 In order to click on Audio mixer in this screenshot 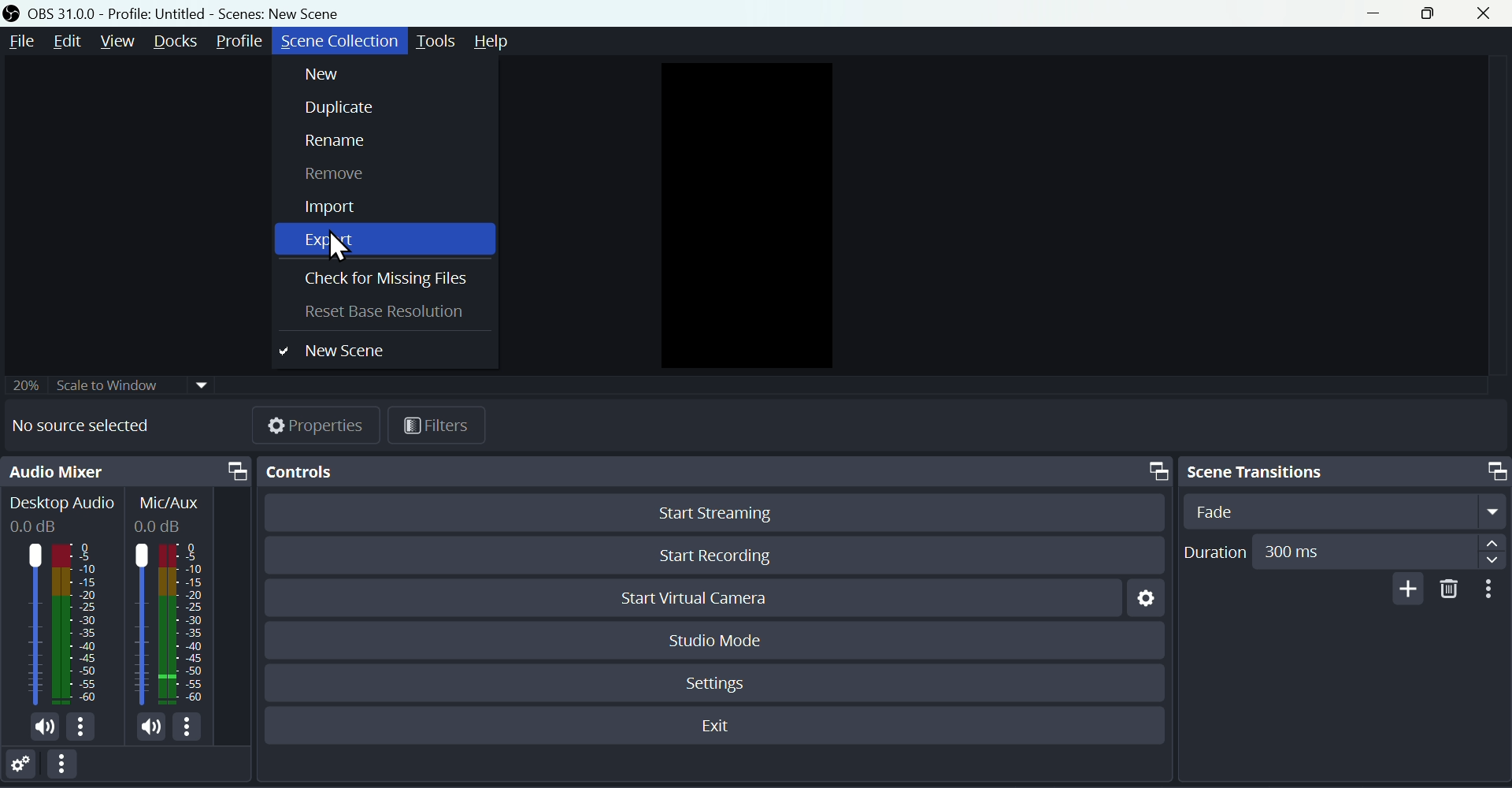, I will do `click(127, 473)`.